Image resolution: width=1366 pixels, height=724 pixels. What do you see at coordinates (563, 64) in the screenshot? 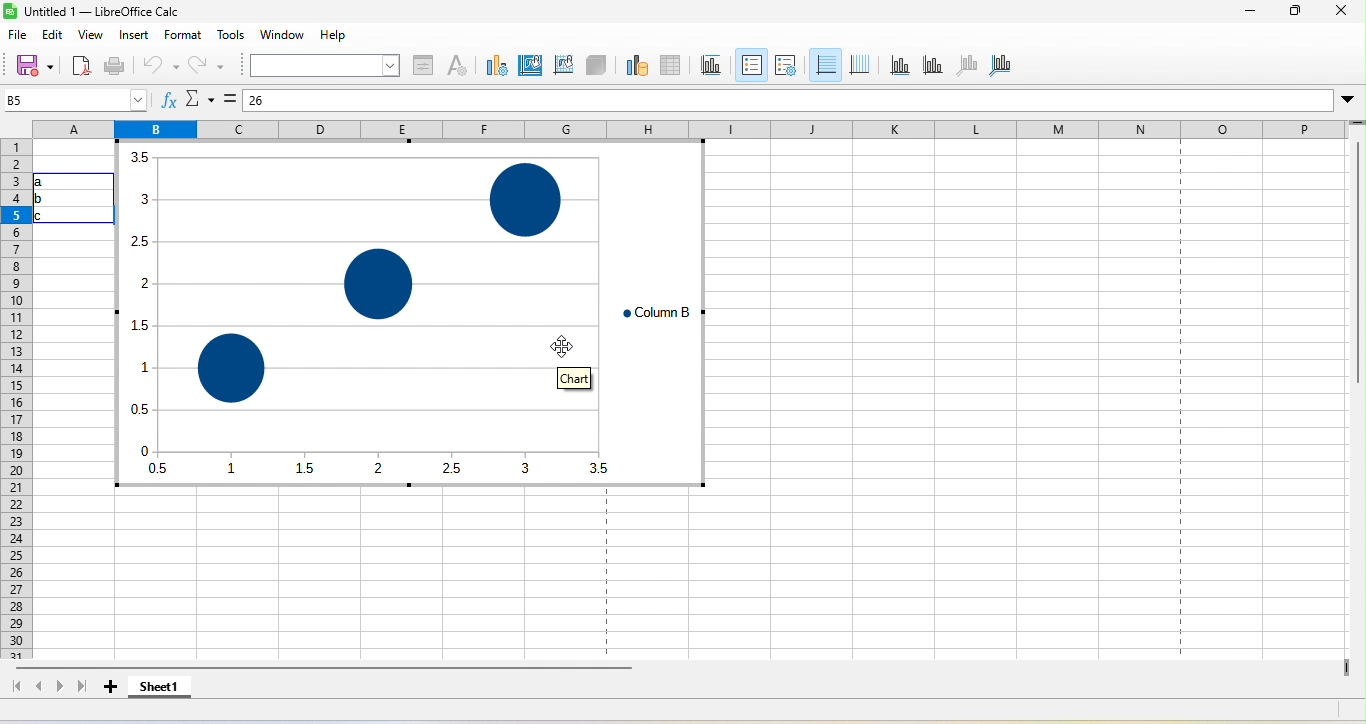
I see `format wall` at bounding box center [563, 64].